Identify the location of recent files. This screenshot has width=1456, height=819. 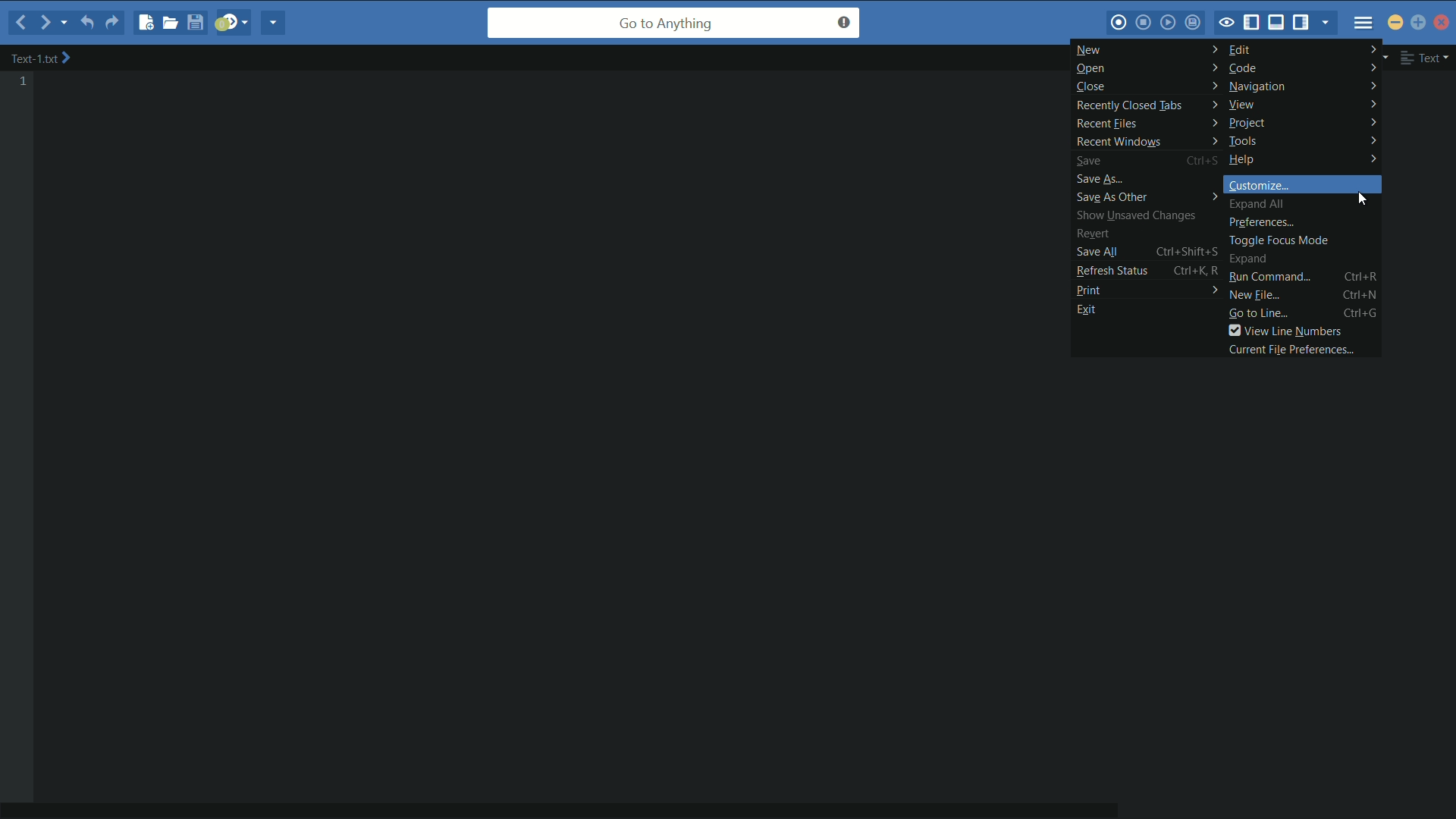
(1147, 122).